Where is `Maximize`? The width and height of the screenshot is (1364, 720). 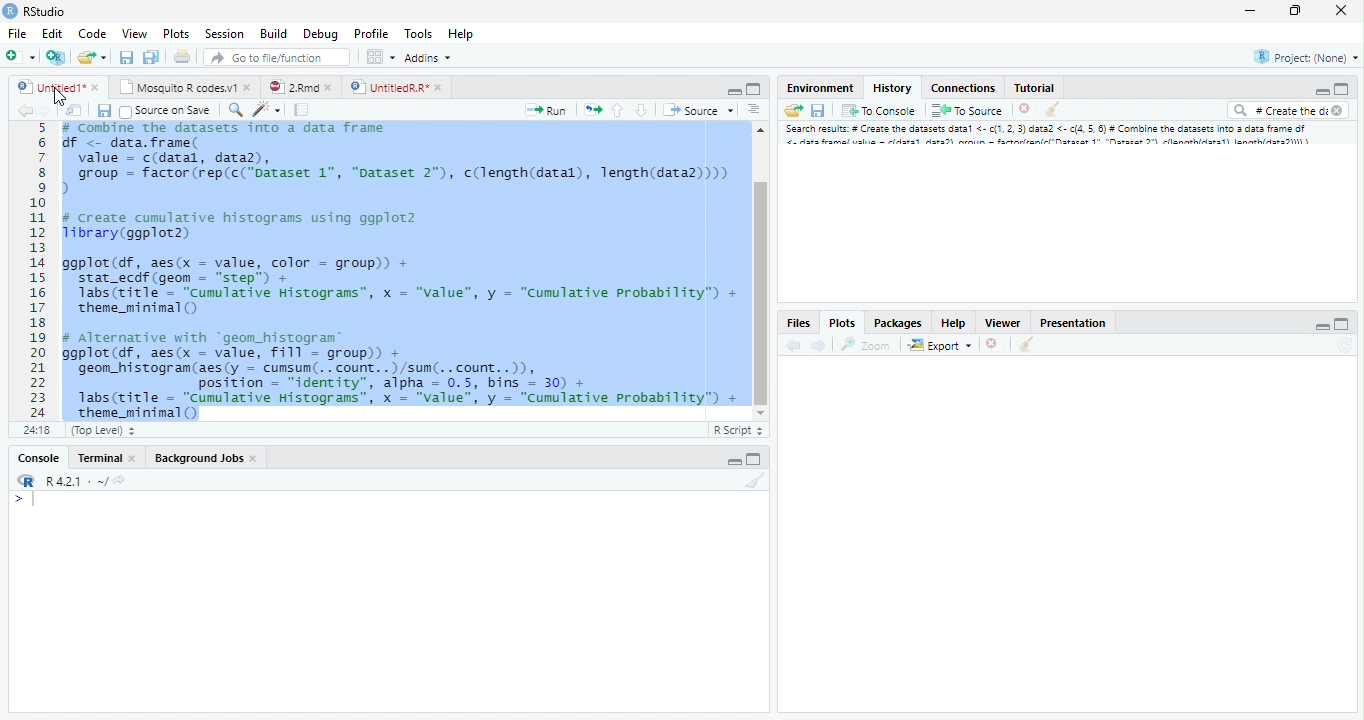
Maximize is located at coordinates (1294, 11).